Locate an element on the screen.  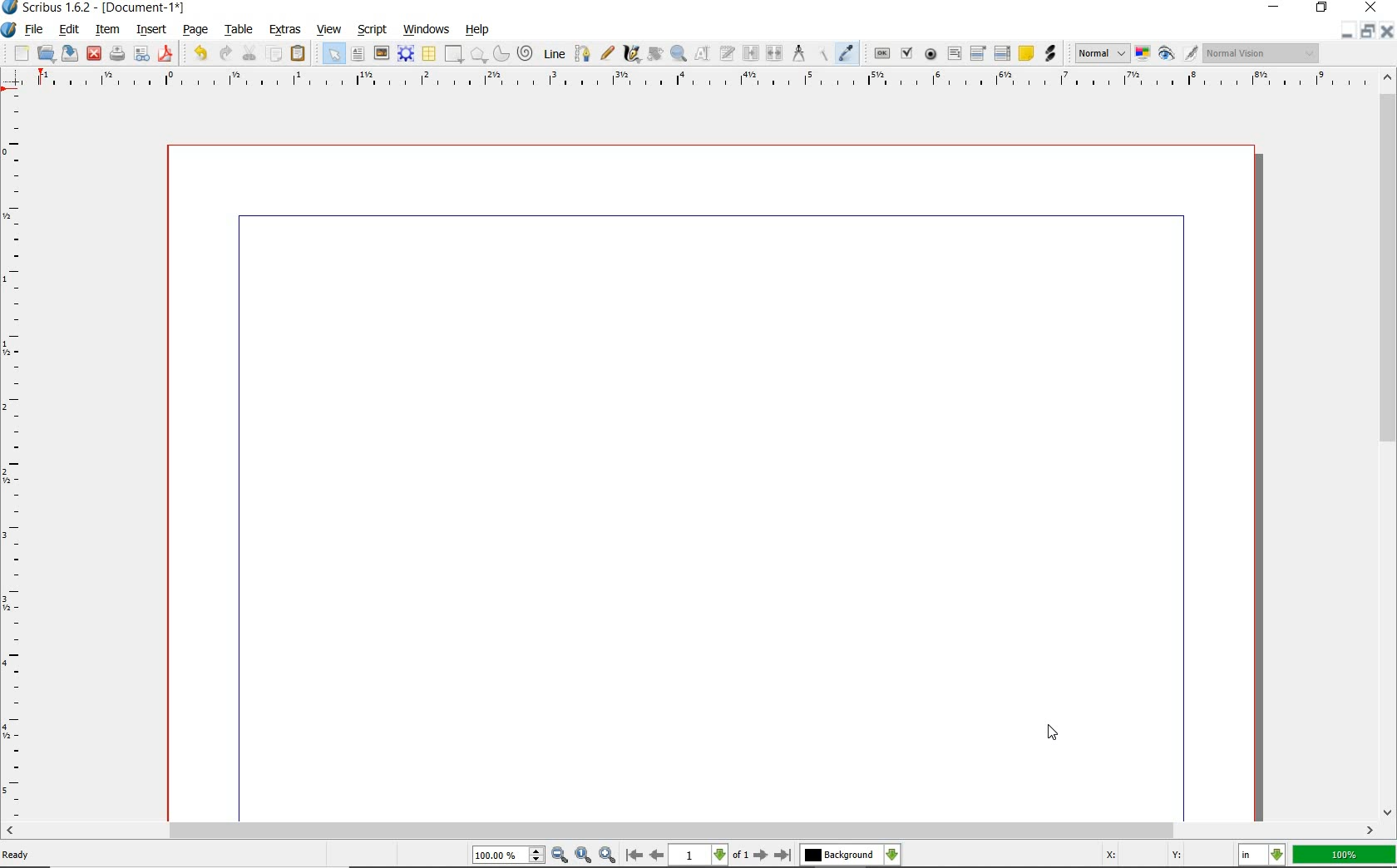
 is located at coordinates (141, 57).